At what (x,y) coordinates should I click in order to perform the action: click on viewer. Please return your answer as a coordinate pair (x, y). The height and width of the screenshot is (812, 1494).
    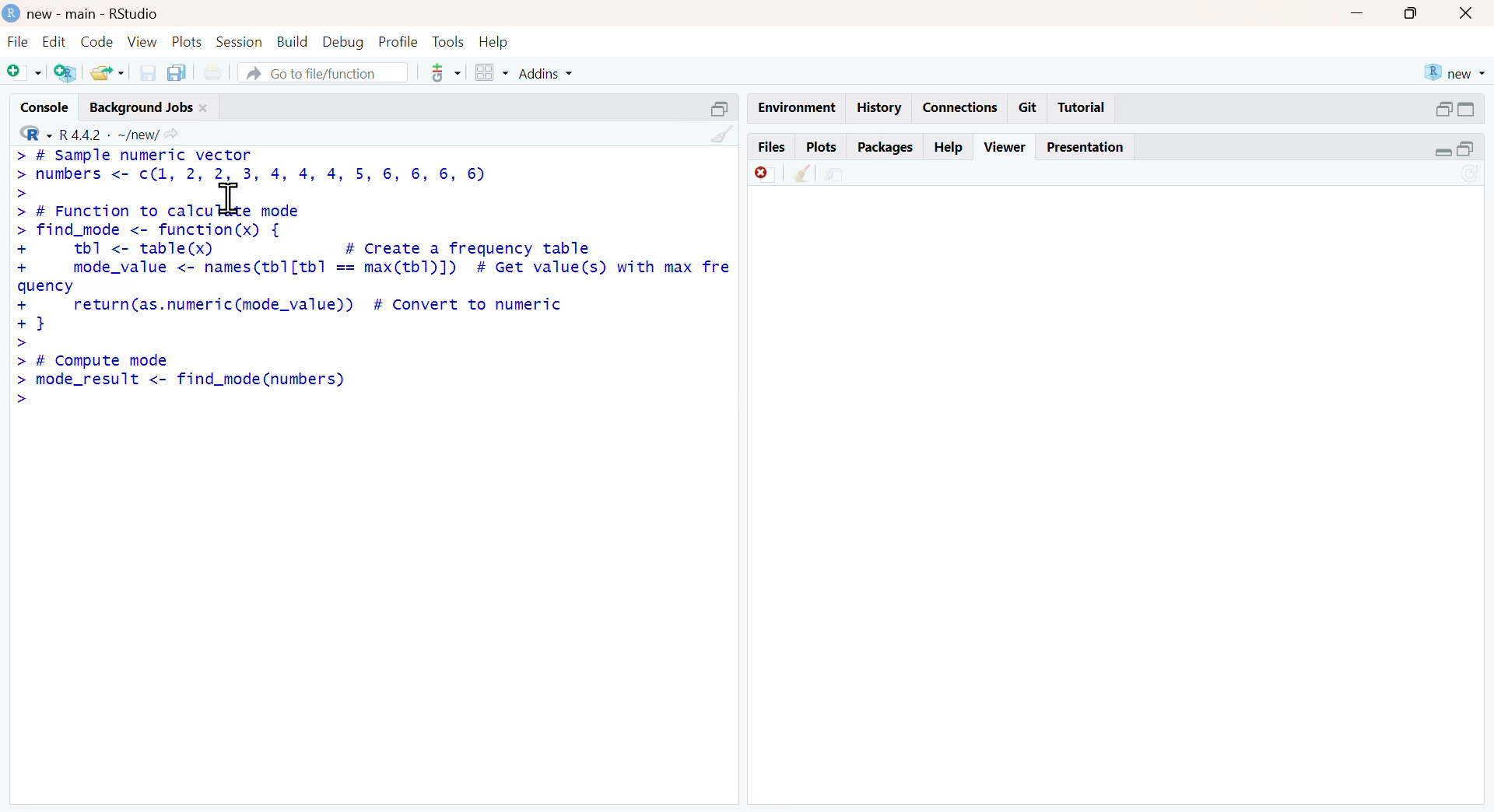
    Looking at the image, I should click on (1005, 147).